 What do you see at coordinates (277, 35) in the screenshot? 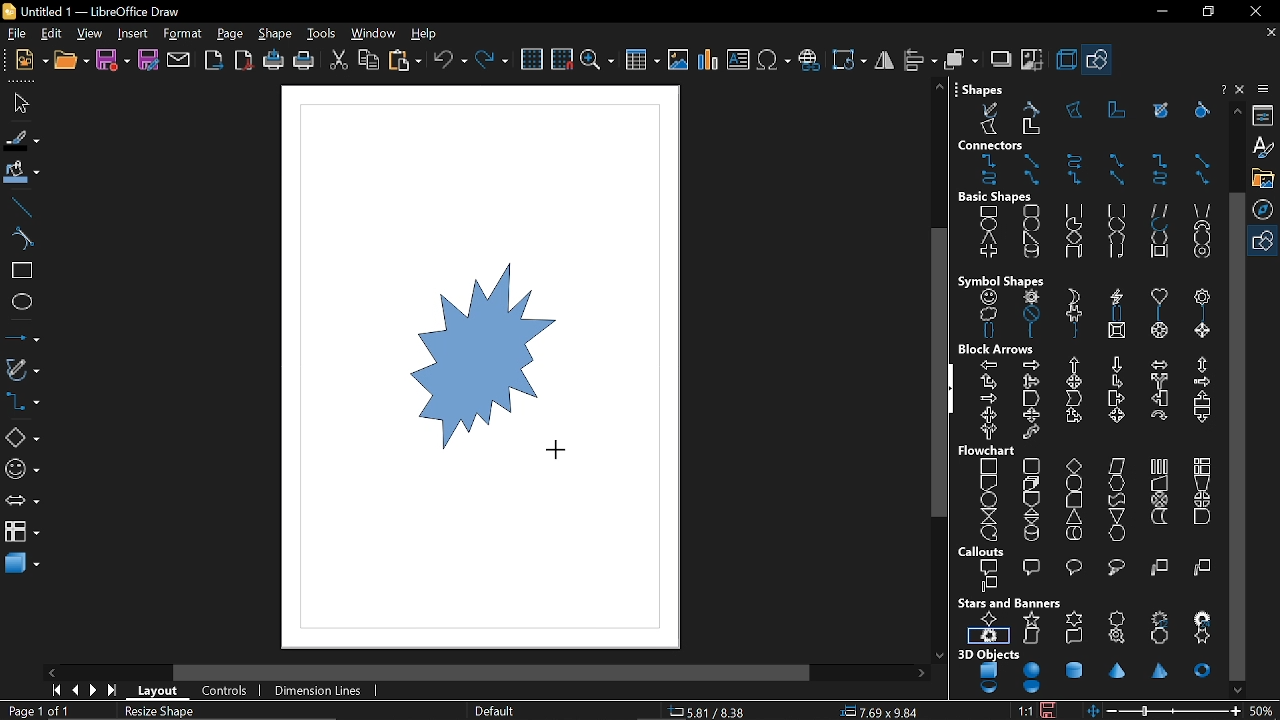
I see `shape` at bounding box center [277, 35].